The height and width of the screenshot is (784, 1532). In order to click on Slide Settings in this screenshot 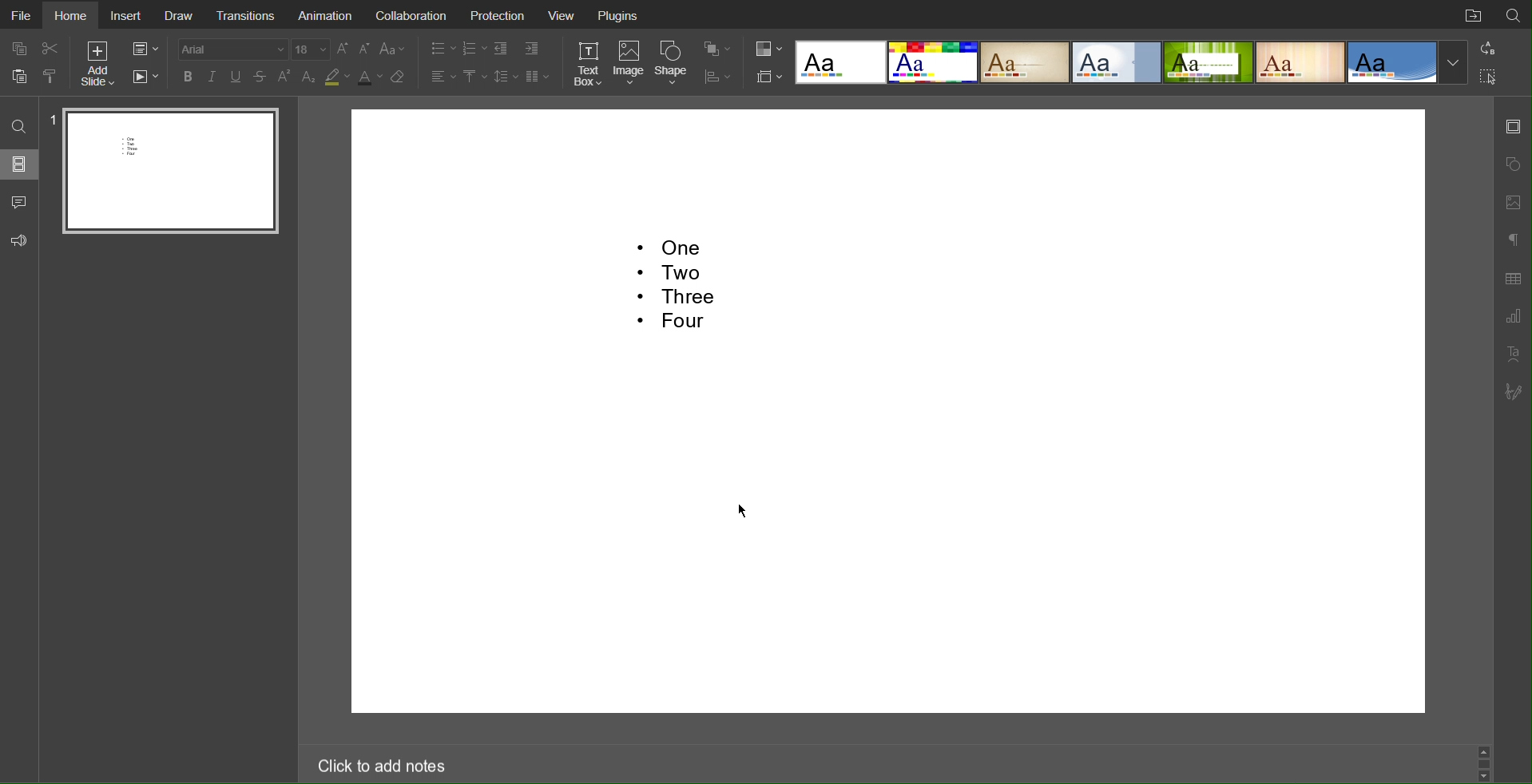, I will do `click(1514, 127)`.